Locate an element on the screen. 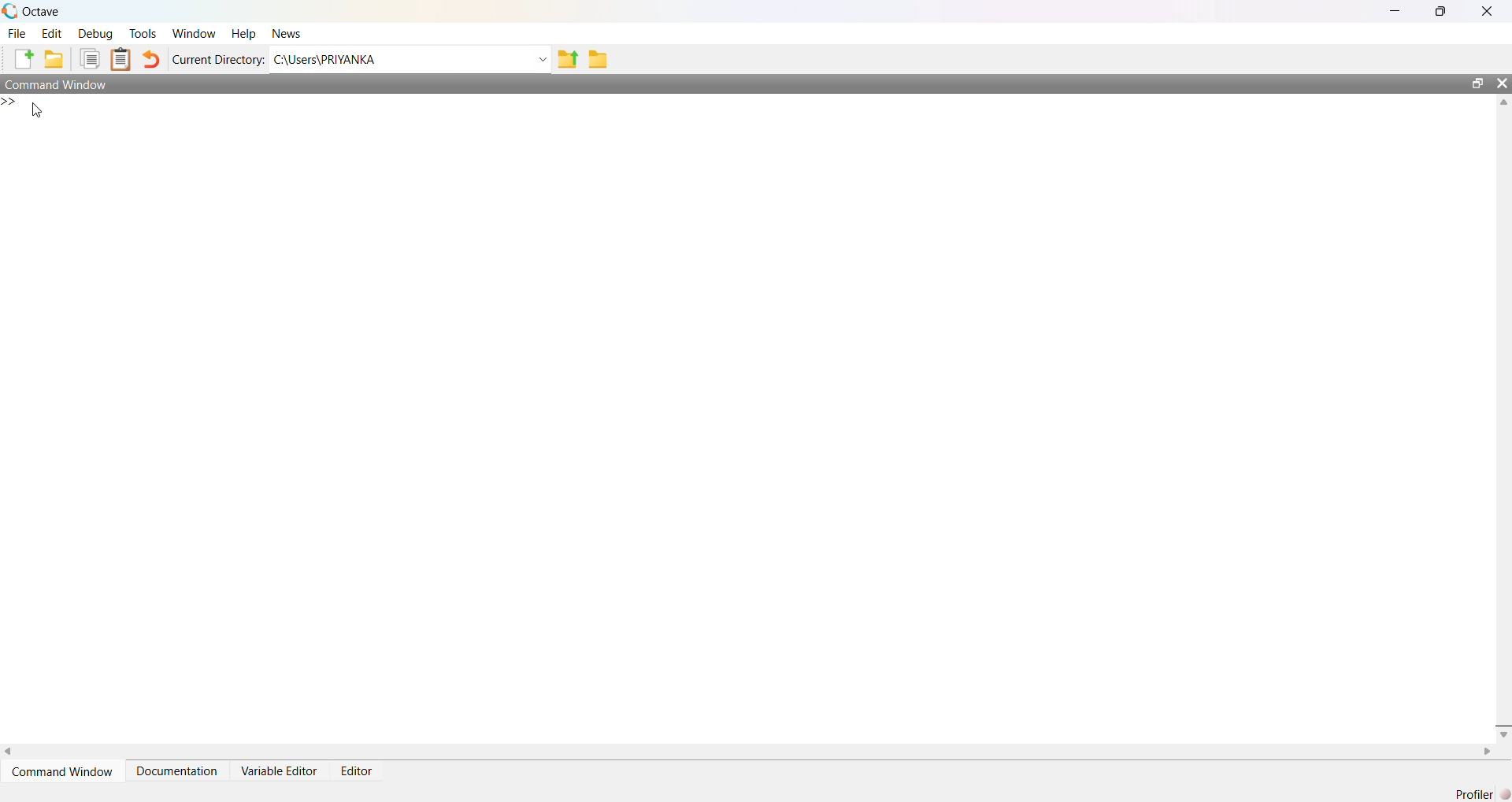 This screenshot has height=802, width=1512. maximise is located at coordinates (1444, 9).